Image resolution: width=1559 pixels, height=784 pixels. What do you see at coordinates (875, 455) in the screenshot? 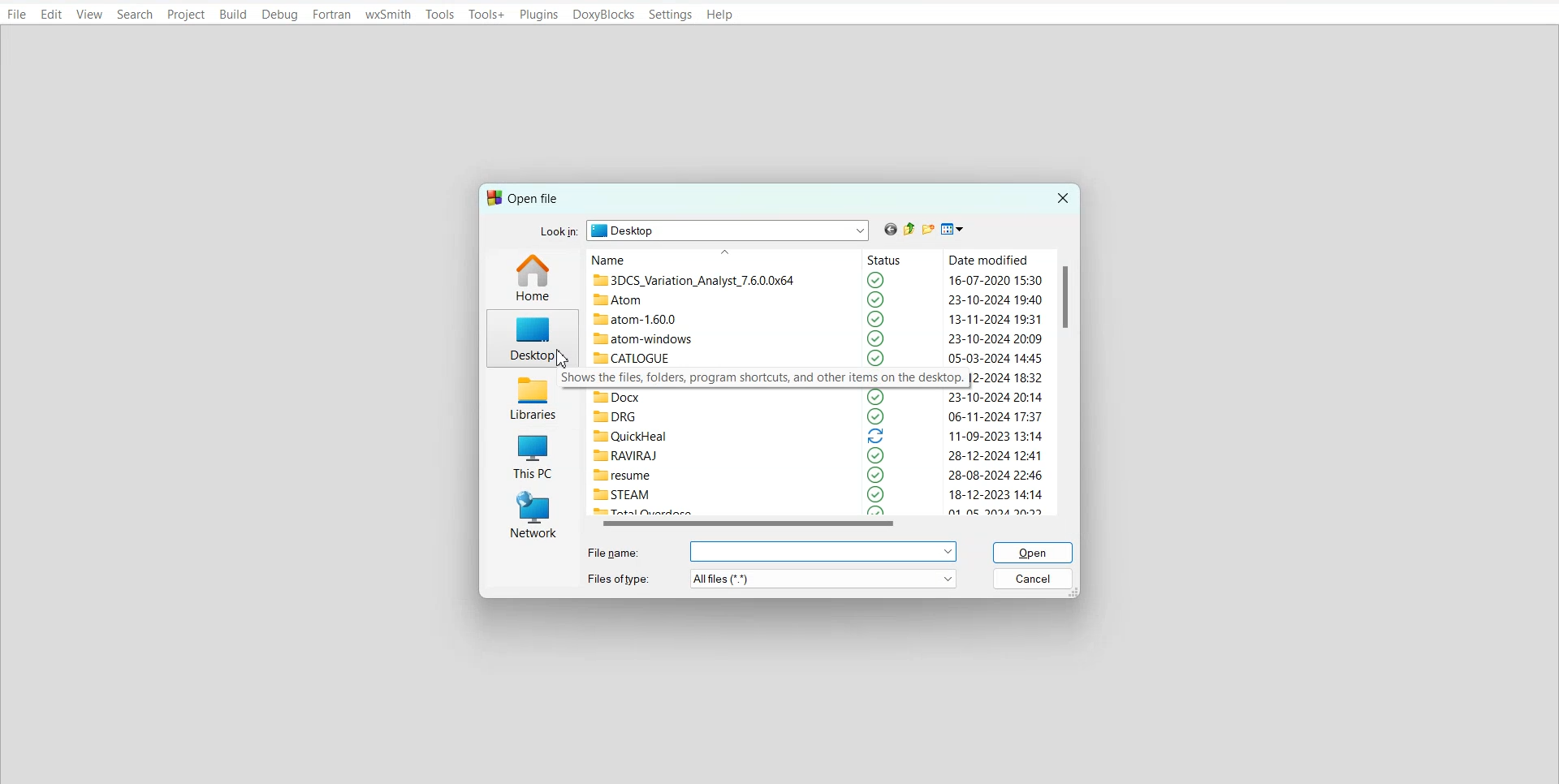
I see `selected logo` at bounding box center [875, 455].